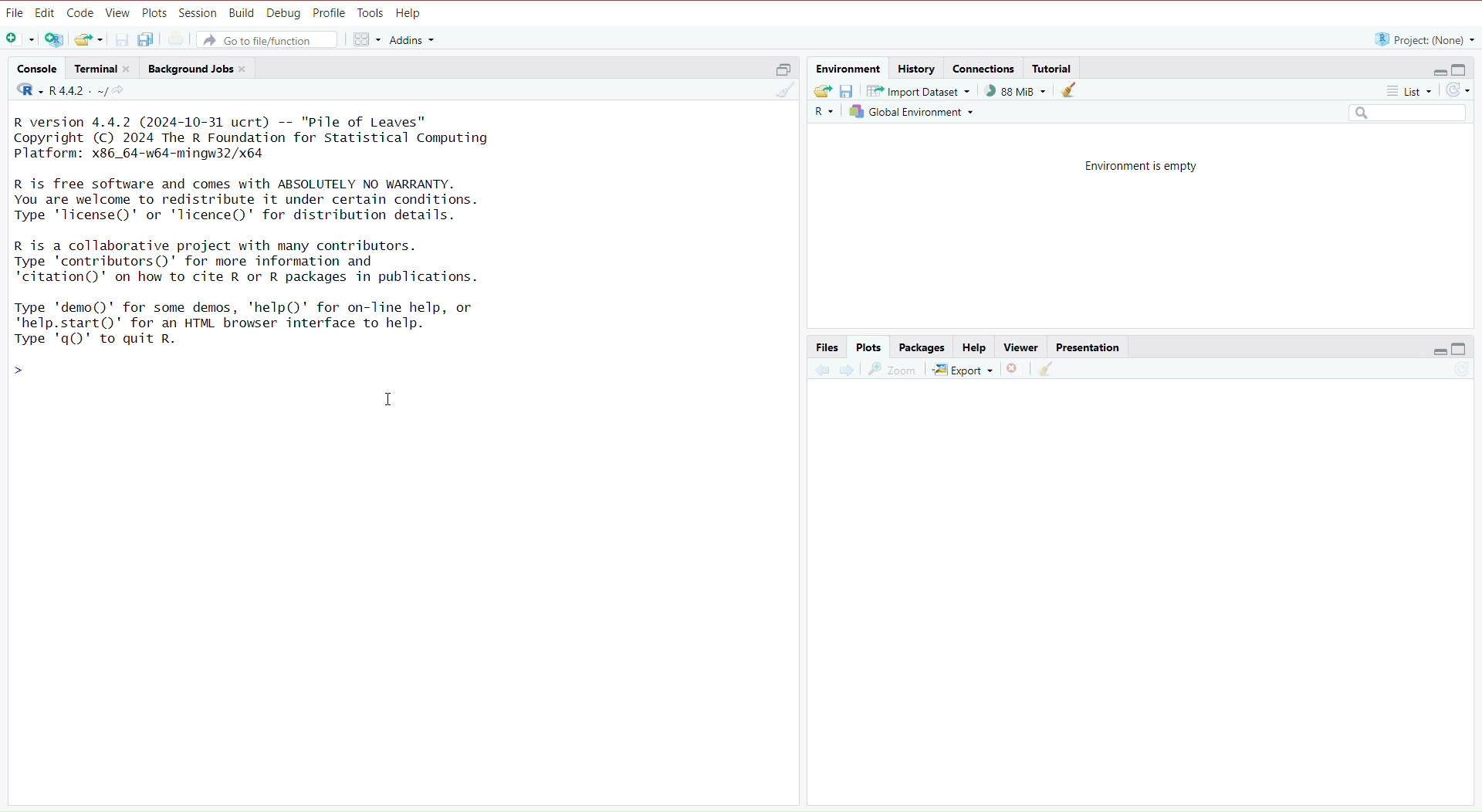  Describe the element at coordinates (923, 347) in the screenshot. I see `packages` at that location.